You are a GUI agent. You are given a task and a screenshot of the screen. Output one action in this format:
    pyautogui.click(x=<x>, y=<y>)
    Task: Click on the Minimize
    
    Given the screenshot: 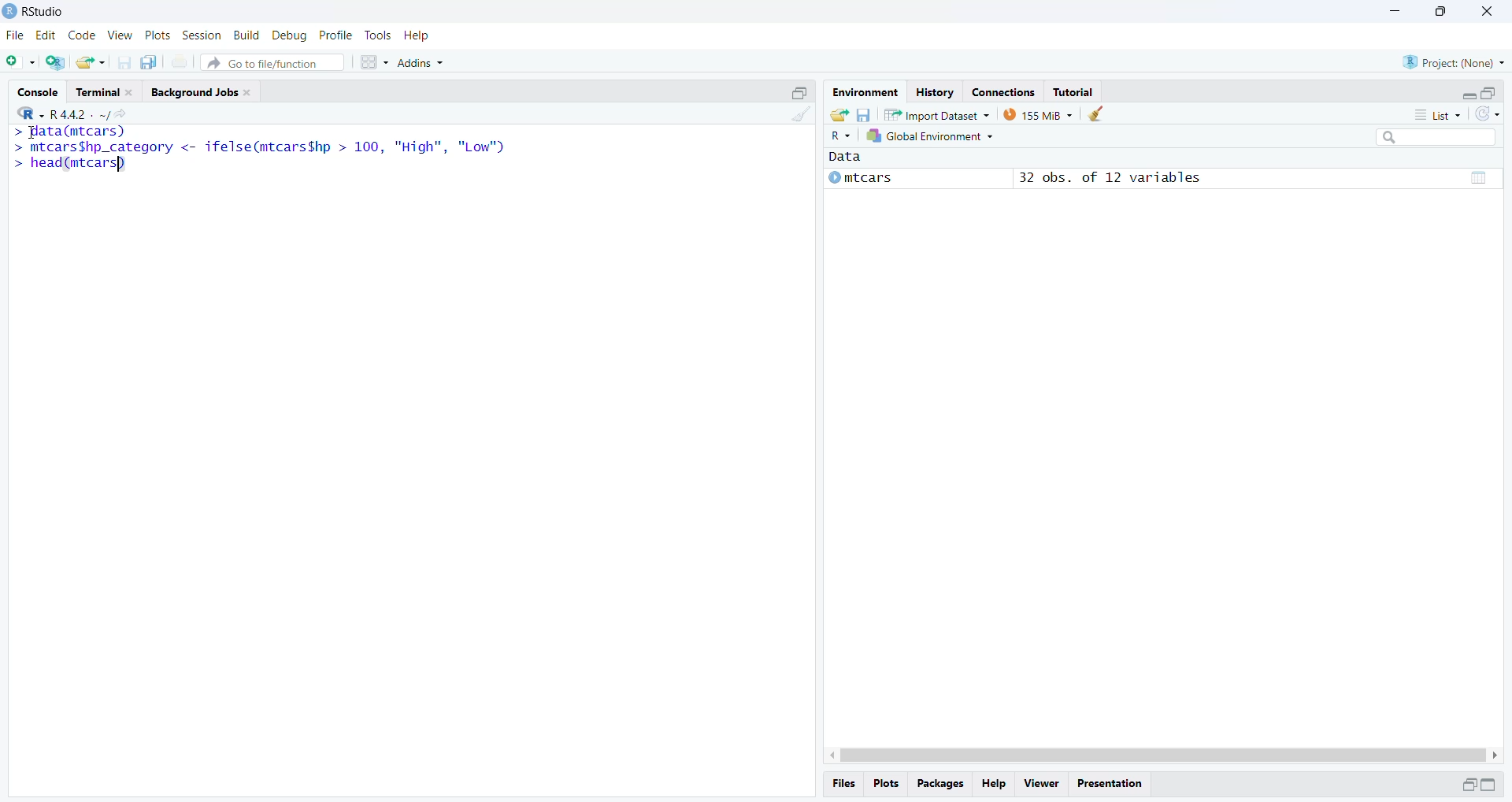 What is the action you would take?
    pyautogui.click(x=1466, y=785)
    